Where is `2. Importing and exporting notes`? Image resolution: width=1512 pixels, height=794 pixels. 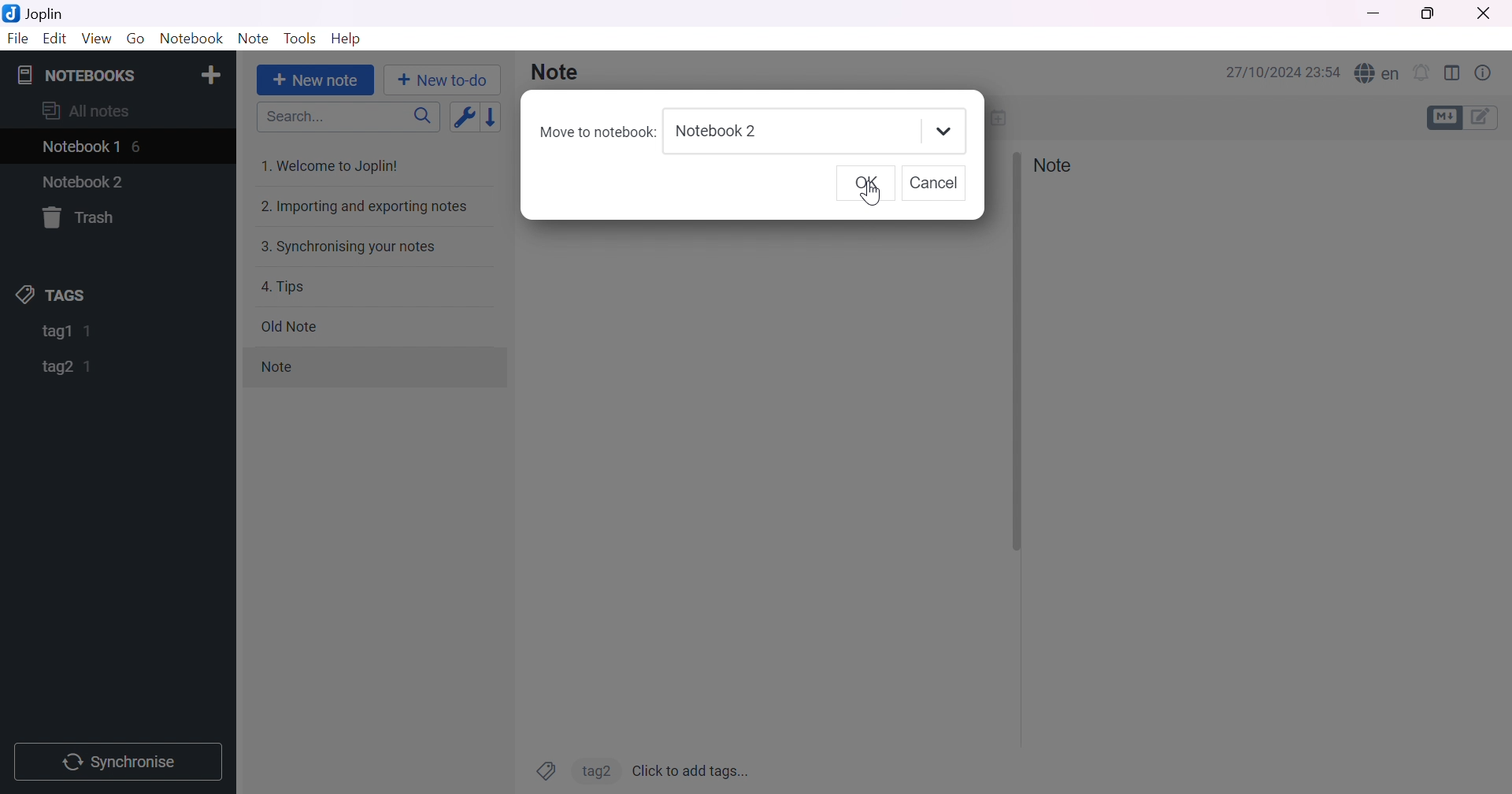
2. Importing and exporting notes is located at coordinates (363, 206).